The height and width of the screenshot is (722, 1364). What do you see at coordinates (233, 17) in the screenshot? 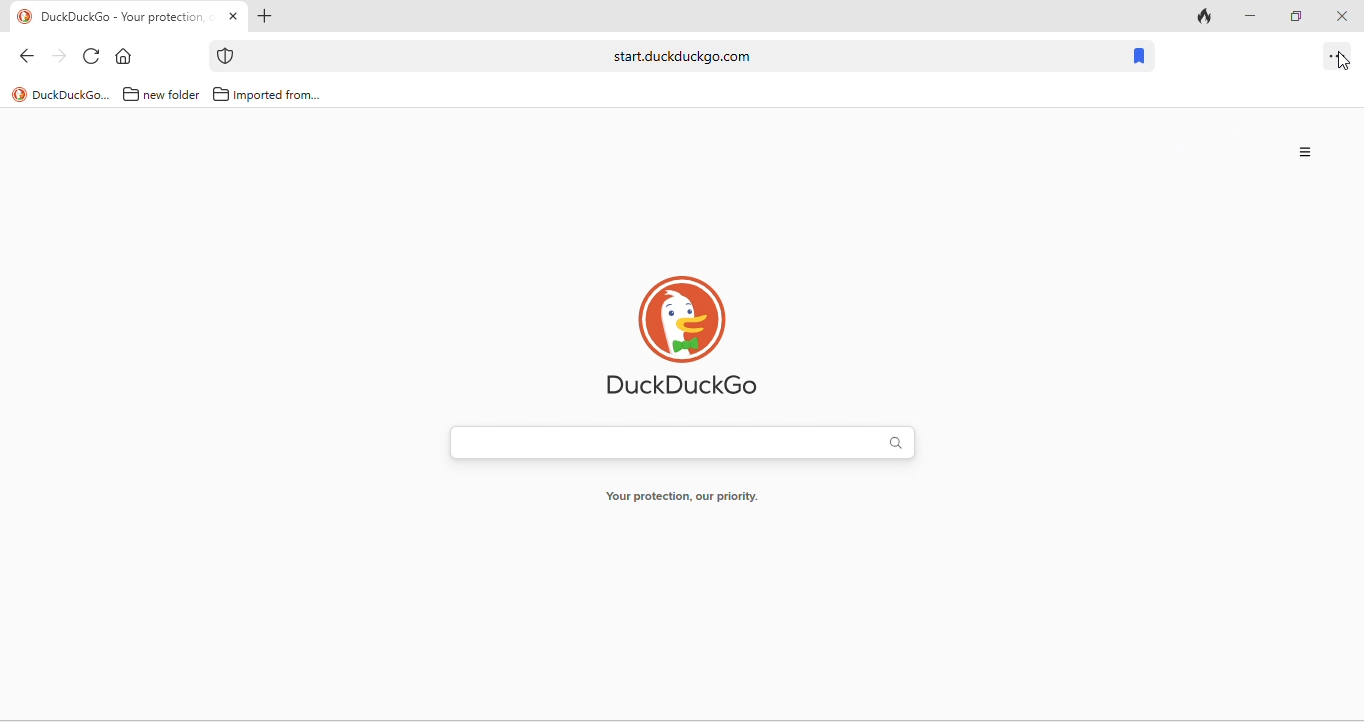
I see `close tab` at bounding box center [233, 17].